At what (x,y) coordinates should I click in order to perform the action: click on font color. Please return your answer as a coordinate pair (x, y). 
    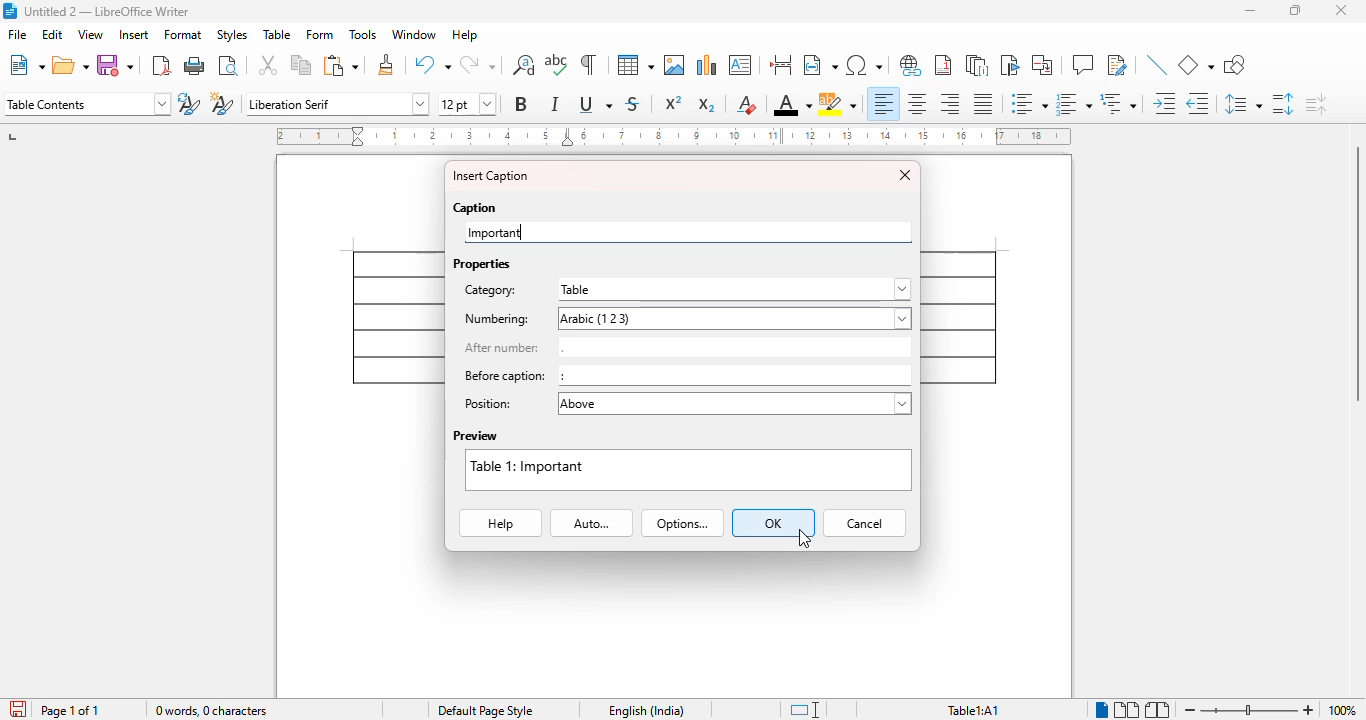
    Looking at the image, I should click on (793, 104).